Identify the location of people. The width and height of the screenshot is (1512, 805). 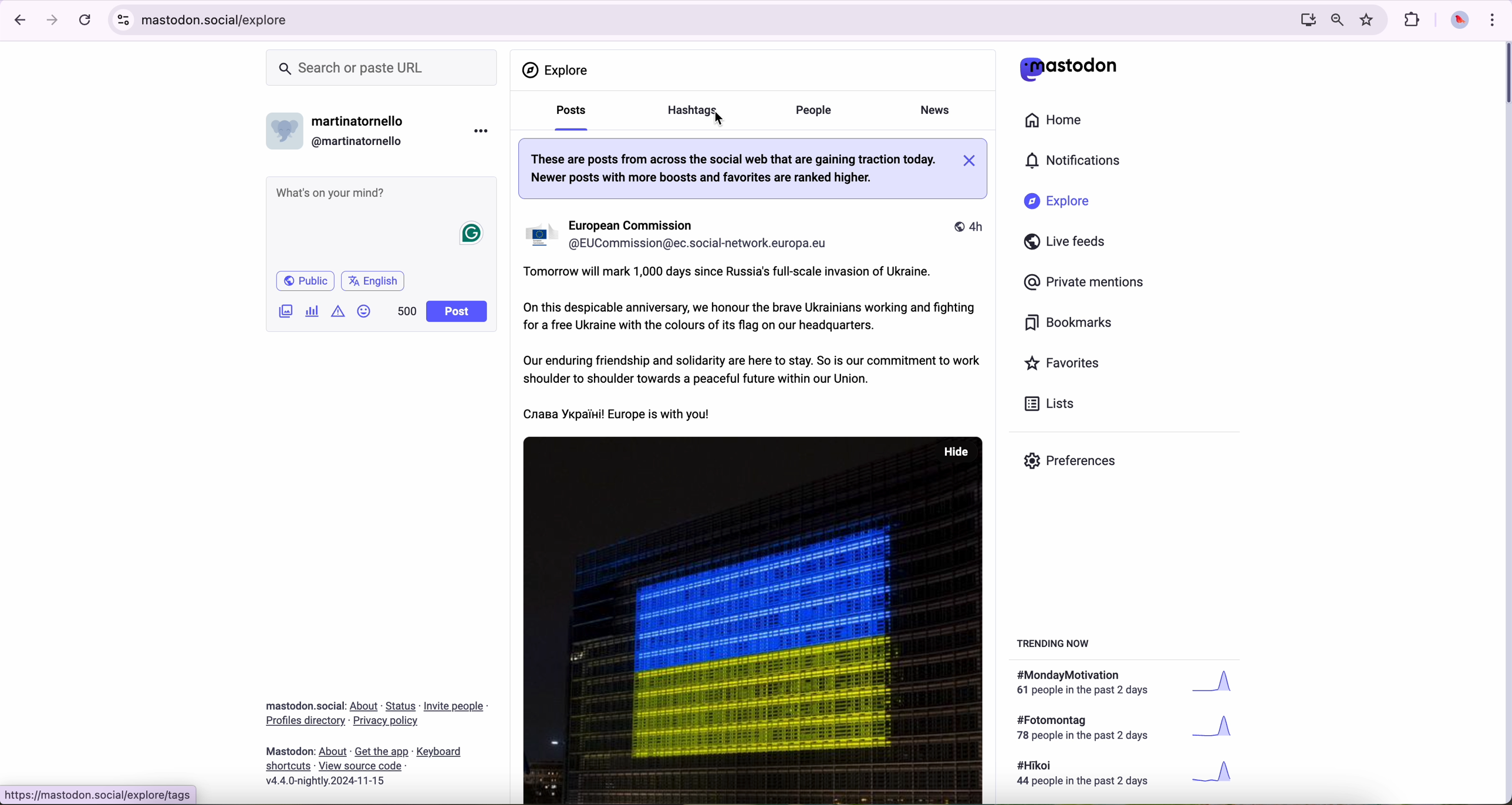
(818, 109).